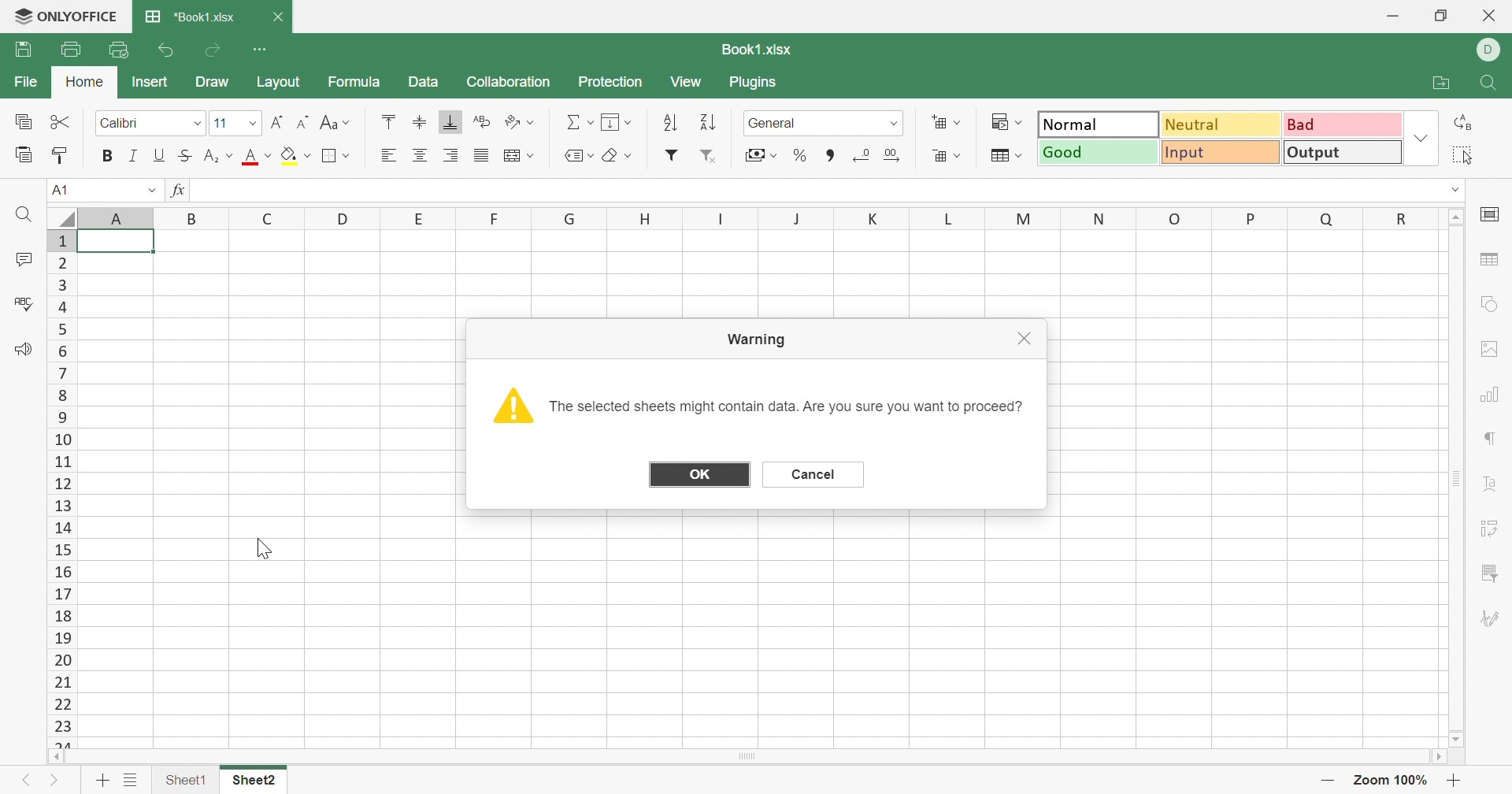 The image size is (1512, 794). I want to click on Protection, so click(613, 80).